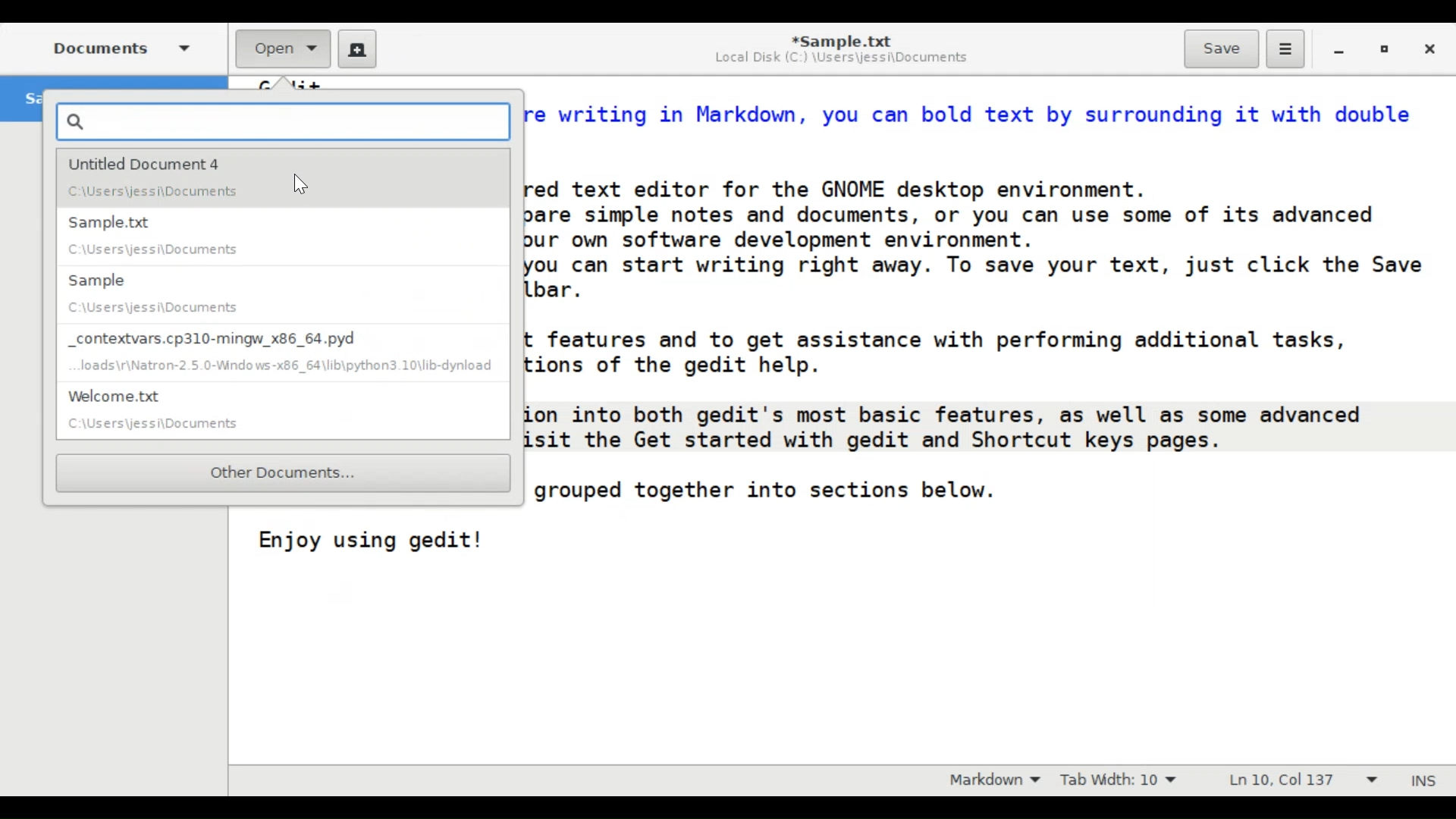  I want to click on Other Documents, so click(284, 473).